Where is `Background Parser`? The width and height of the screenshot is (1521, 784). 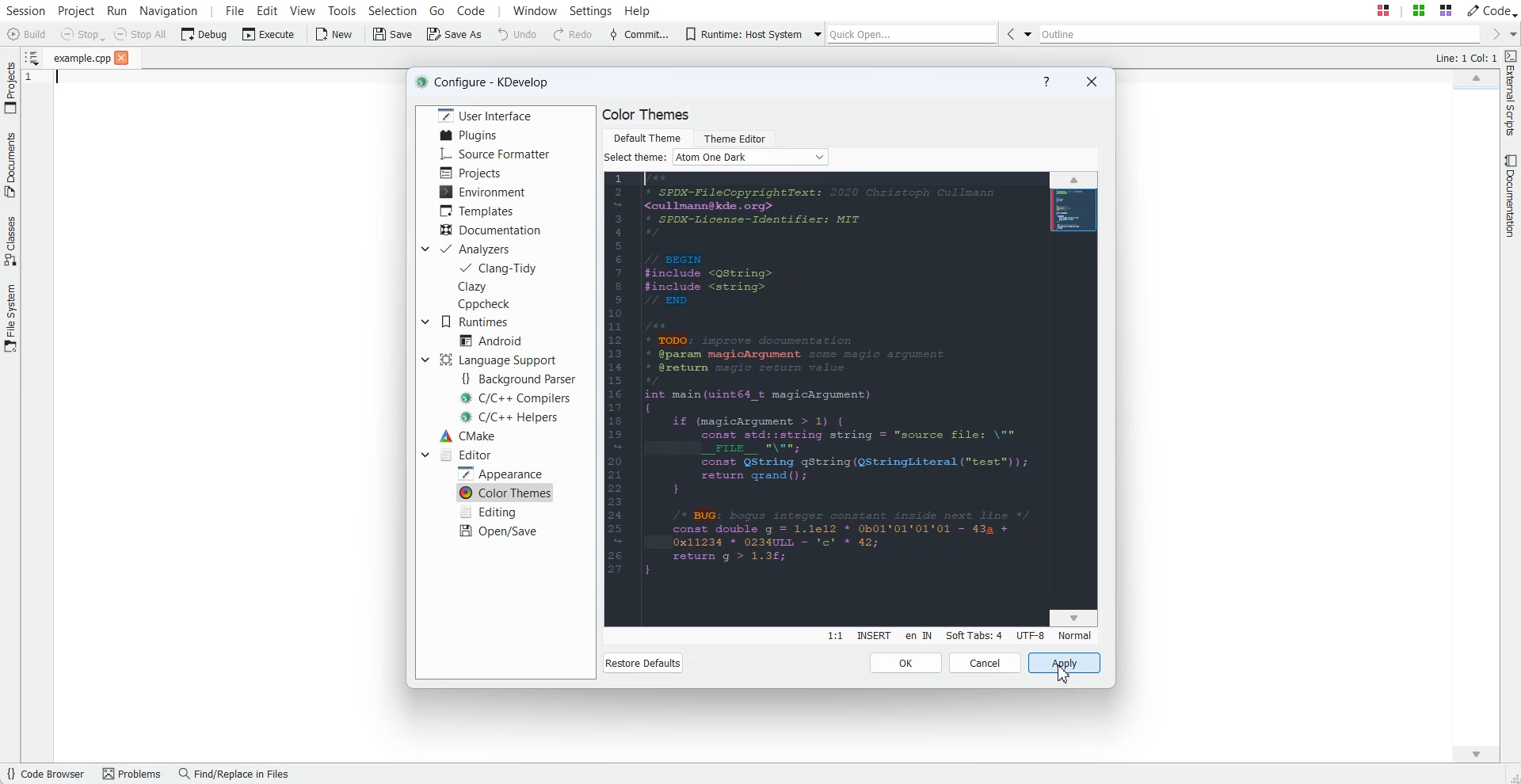
Background Parser is located at coordinates (522, 379).